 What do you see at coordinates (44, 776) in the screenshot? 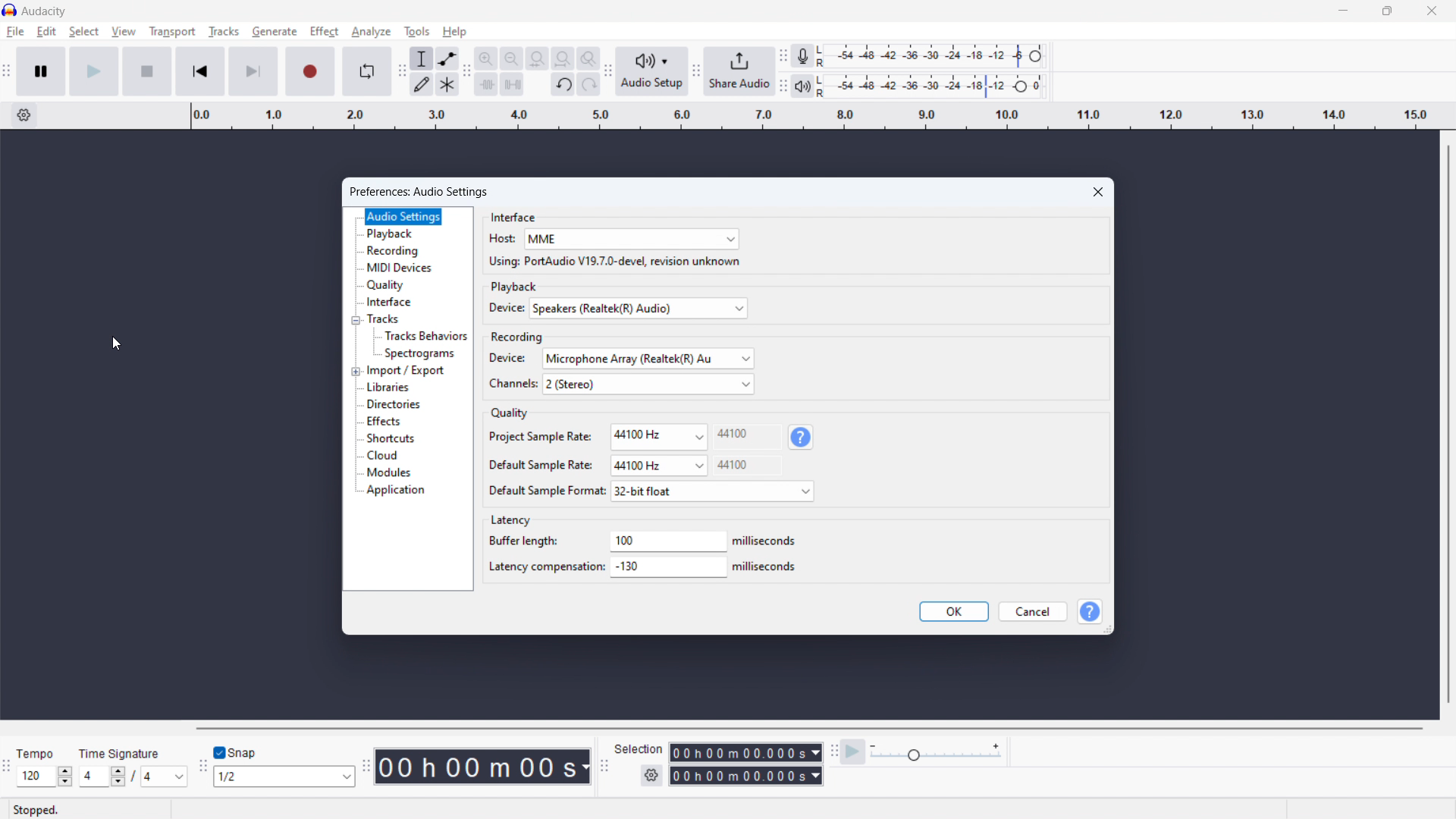
I see `set tempo` at bounding box center [44, 776].